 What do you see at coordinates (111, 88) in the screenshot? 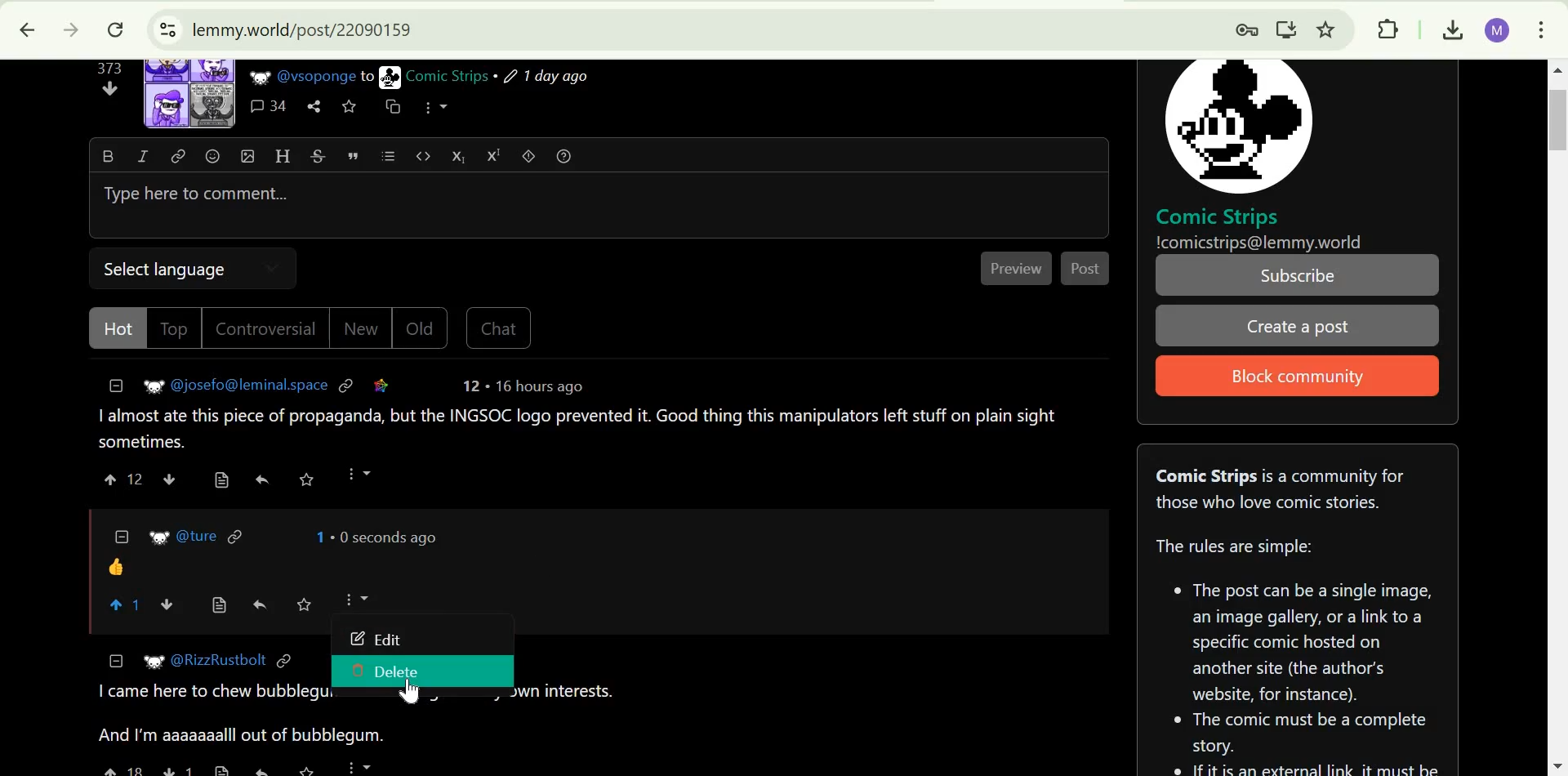
I see `downvote` at bounding box center [111, 88].